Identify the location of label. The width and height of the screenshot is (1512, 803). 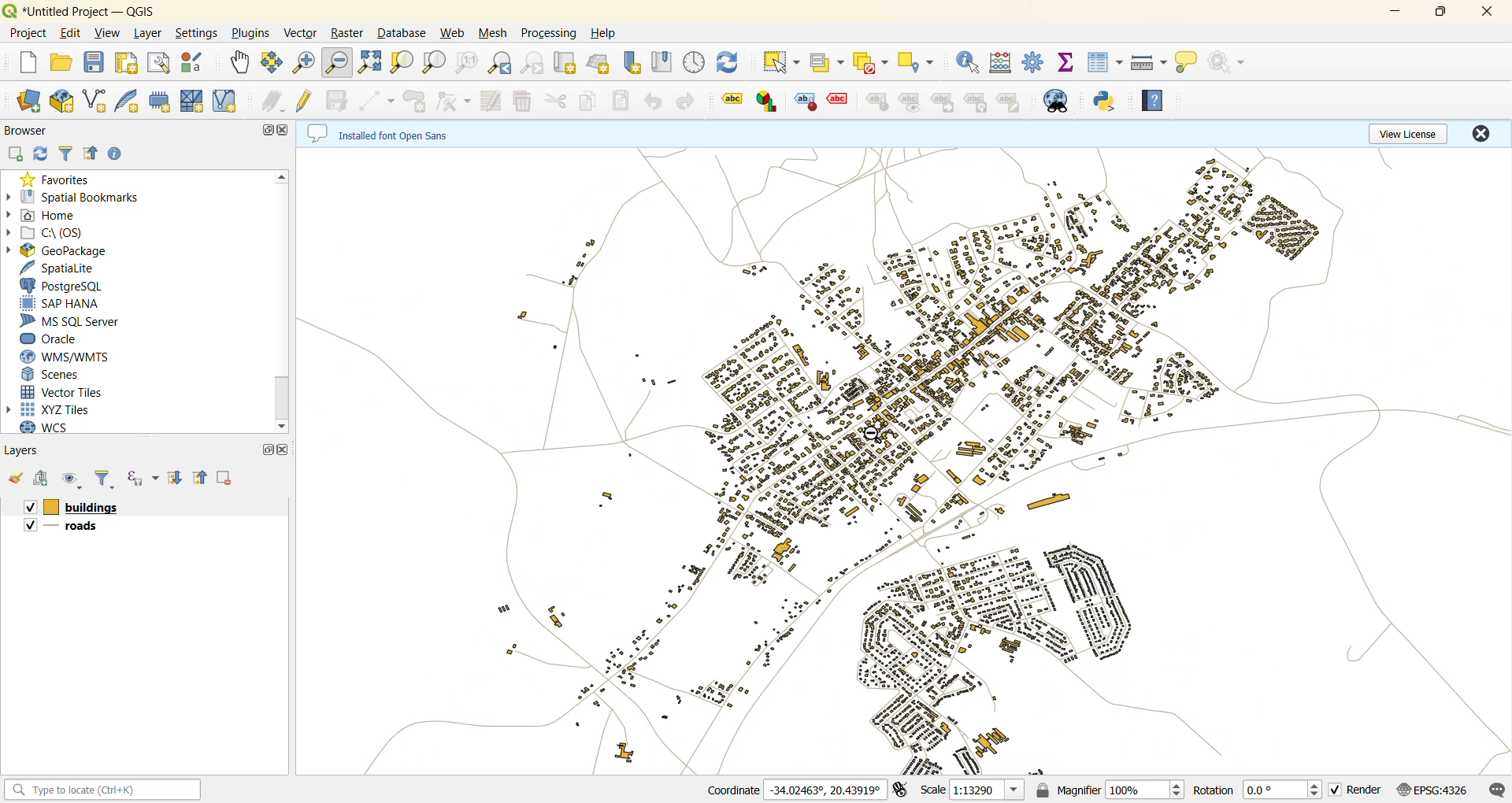
(805, 102).